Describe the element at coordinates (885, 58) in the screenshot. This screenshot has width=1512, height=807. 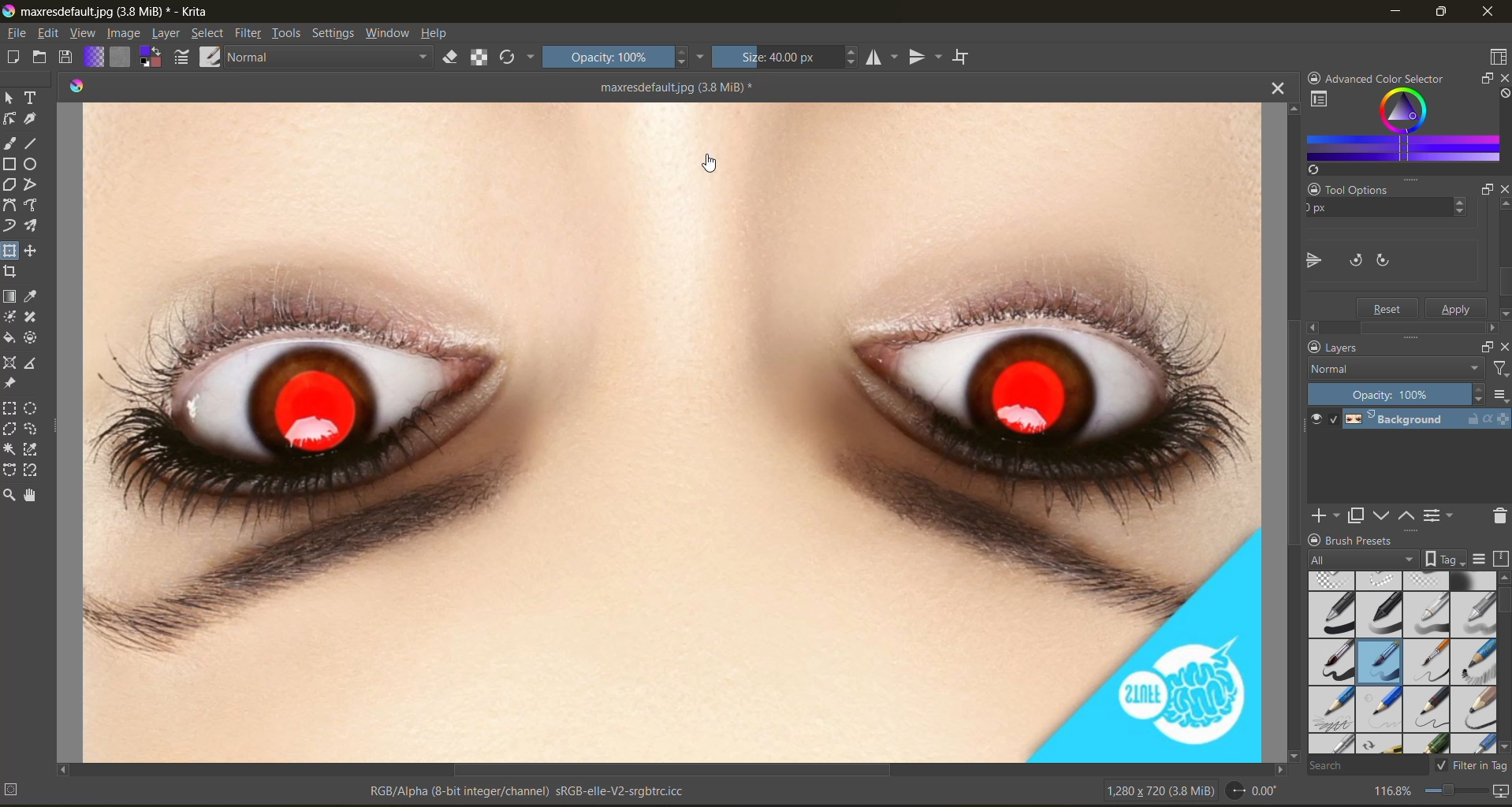
I see `horizontal mirror tool` at that location.